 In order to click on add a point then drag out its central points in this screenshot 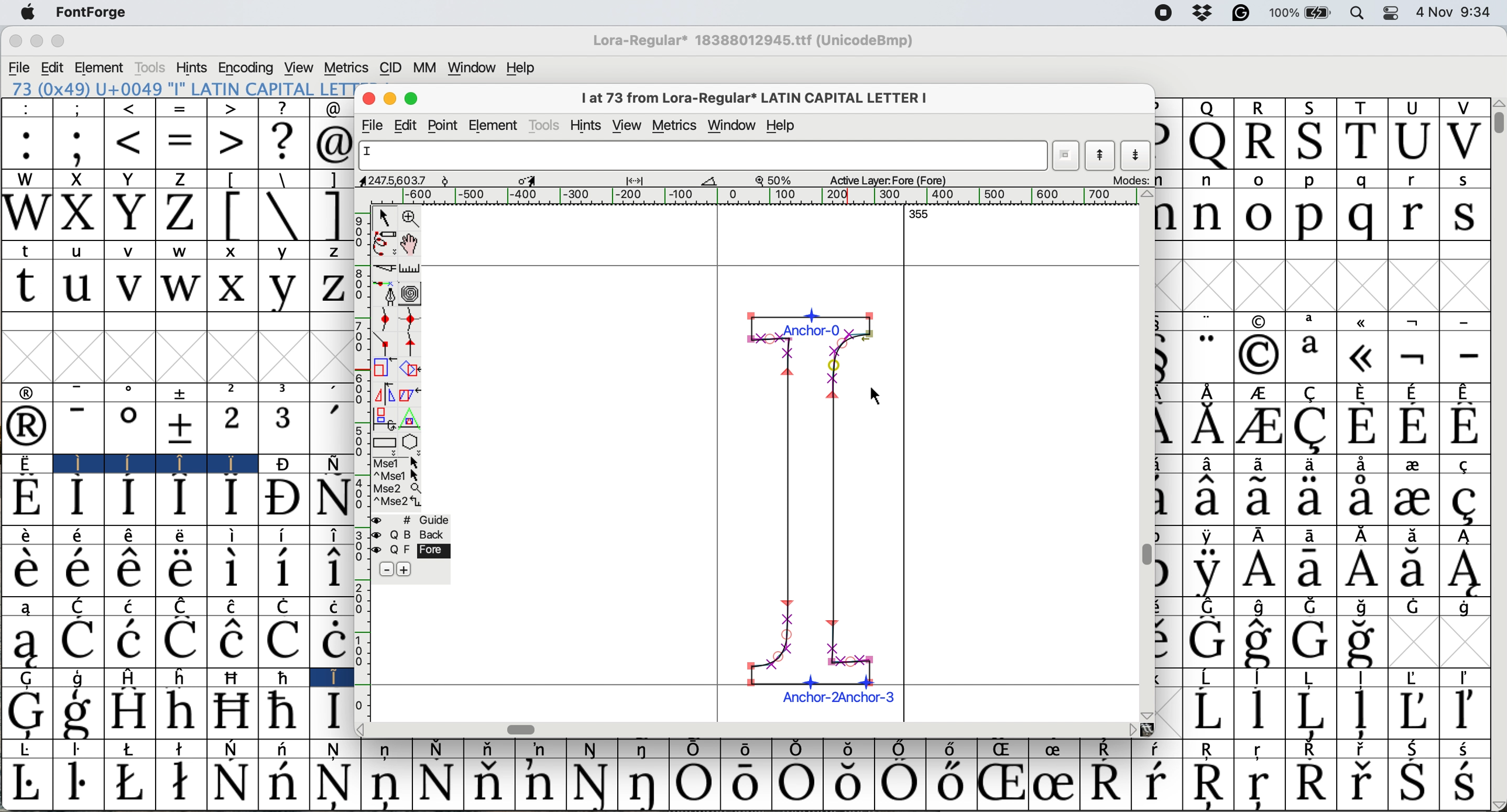, I will do `click(386, 294)`.